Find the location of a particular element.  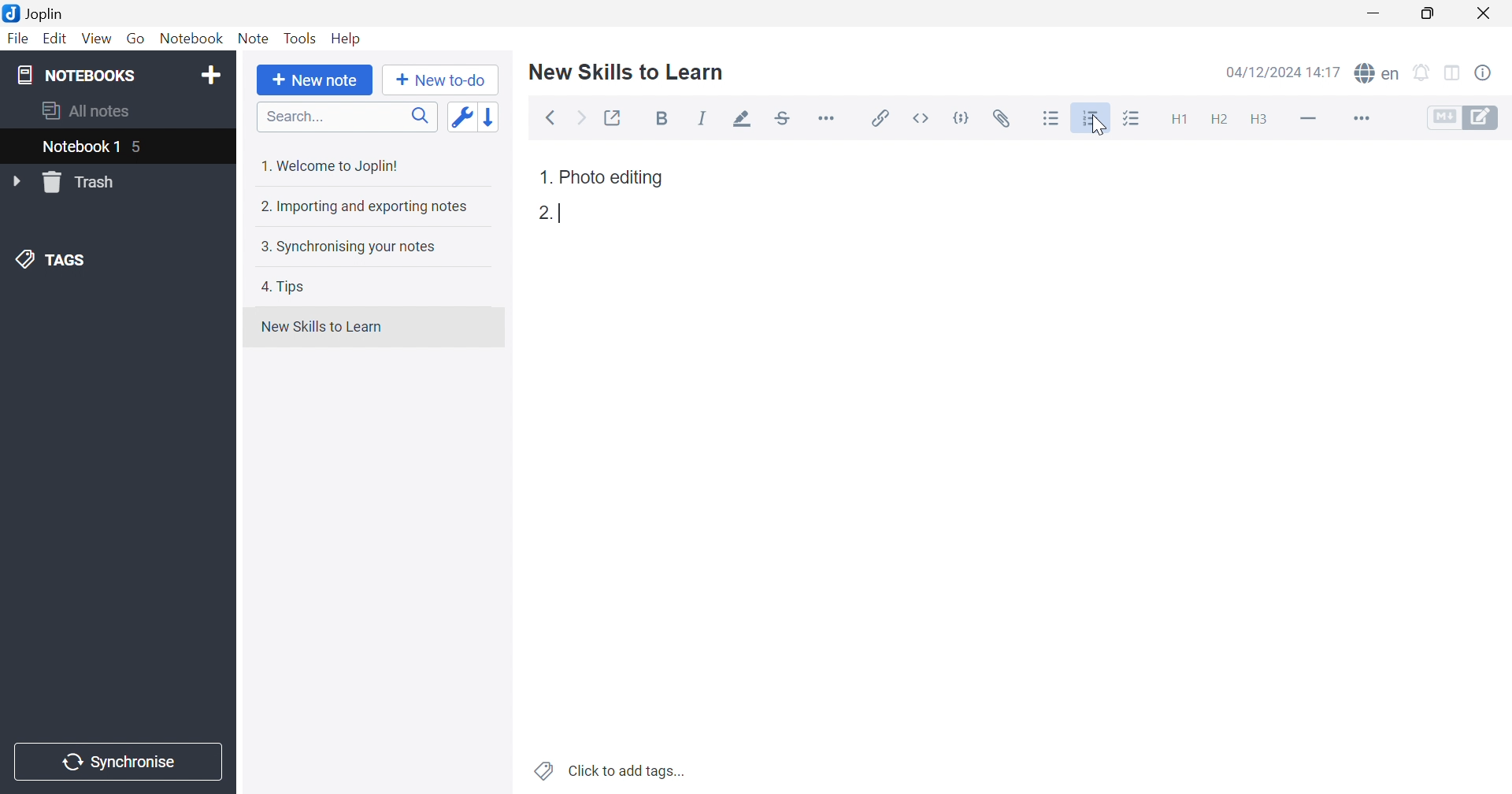

NOTEBOOKS is located at coordinates (75, 74).